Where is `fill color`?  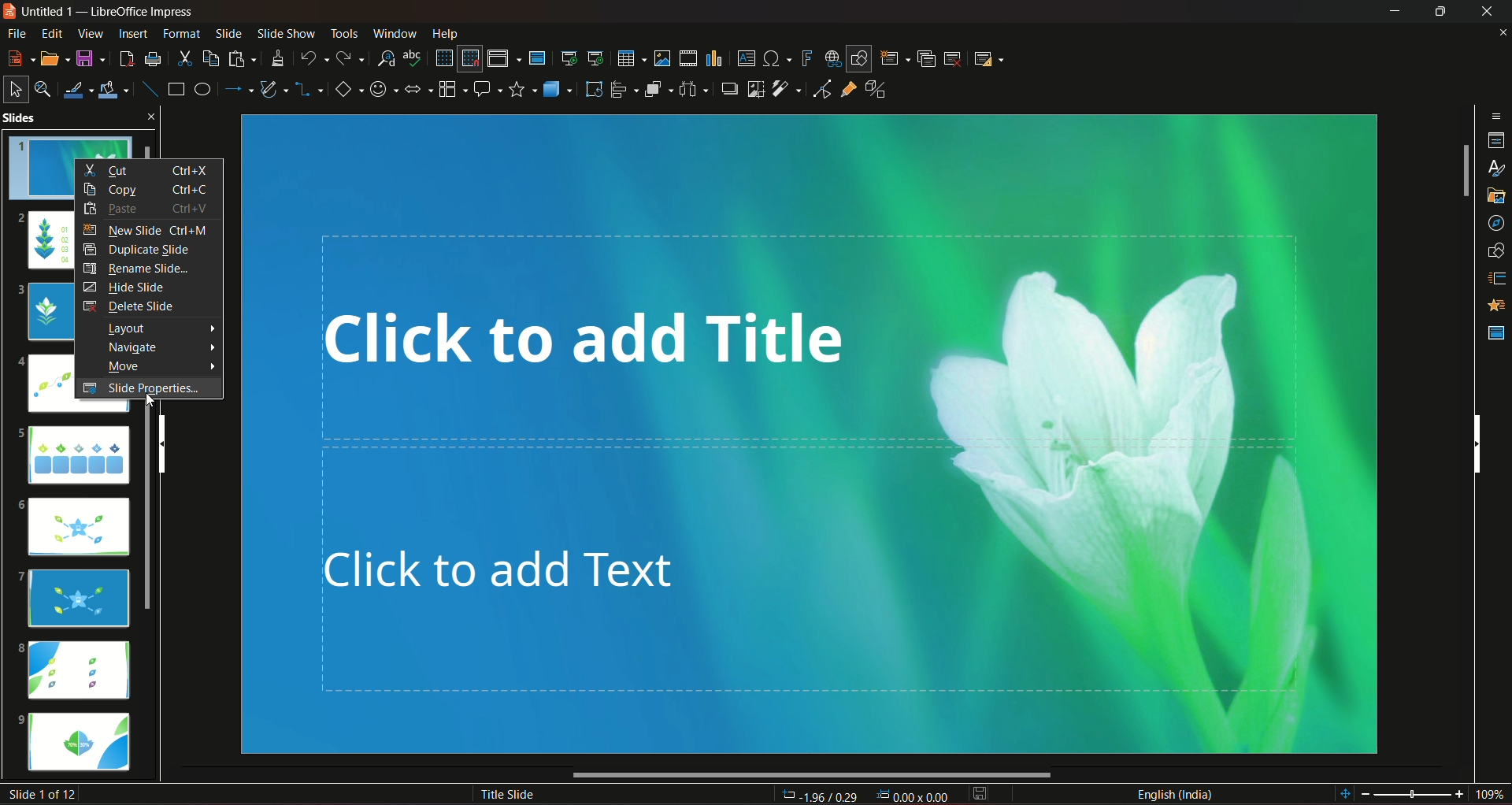 fill color is located at coordinates (117, 87).